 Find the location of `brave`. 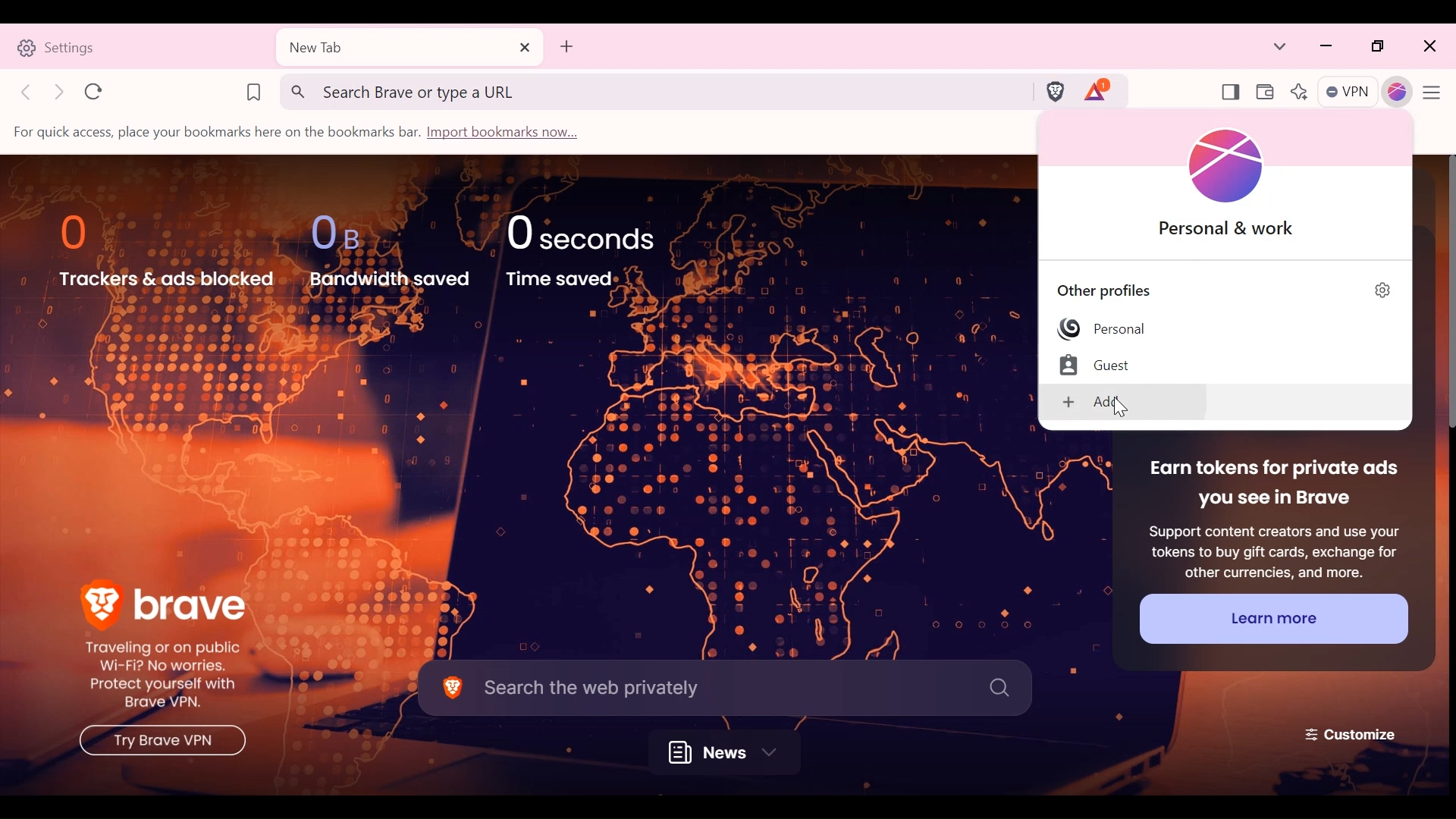

brave is located at coordinates (165, 600).